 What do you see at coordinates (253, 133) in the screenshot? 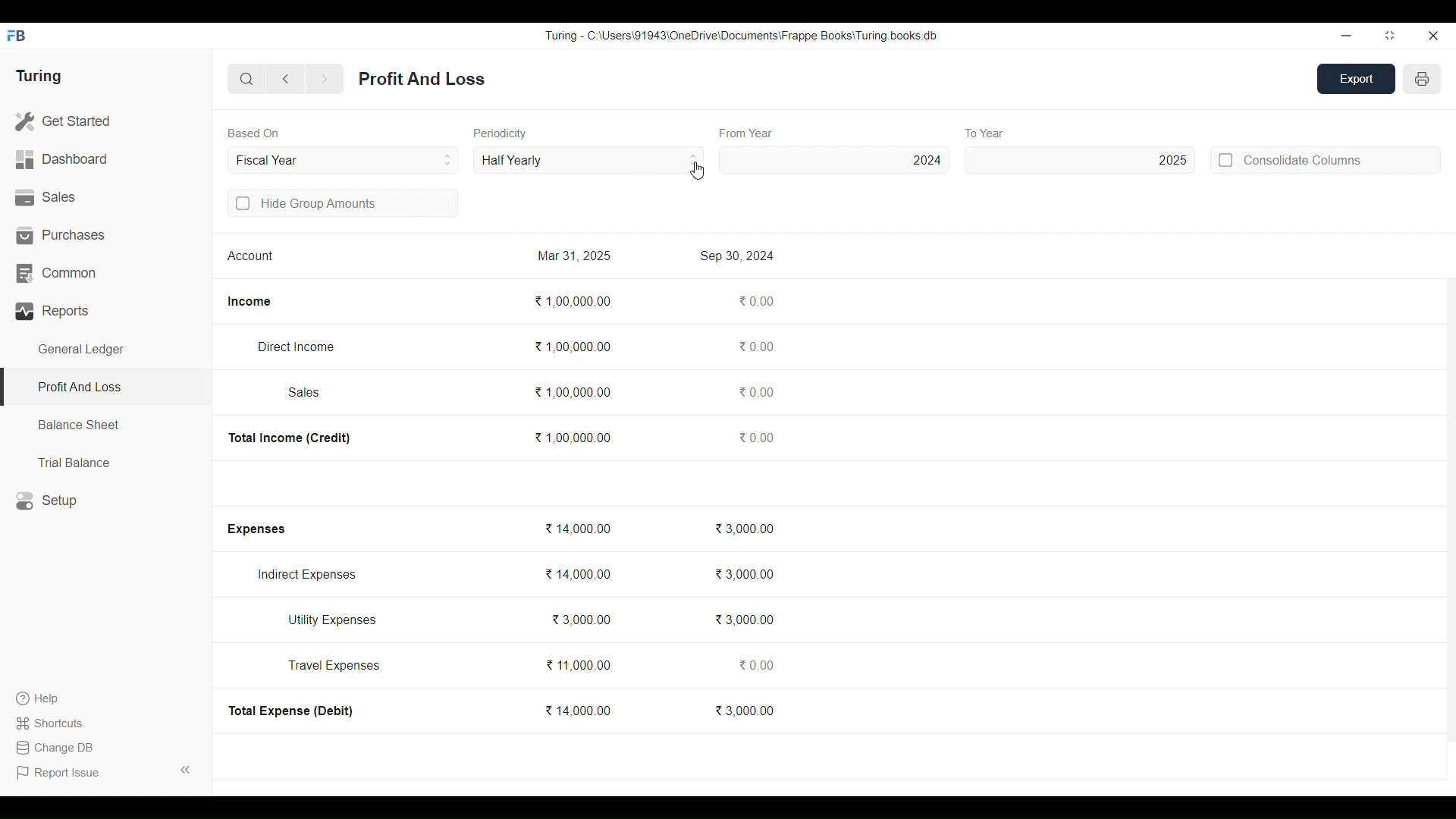
I see `Based On` at bounding box center [253, 133].